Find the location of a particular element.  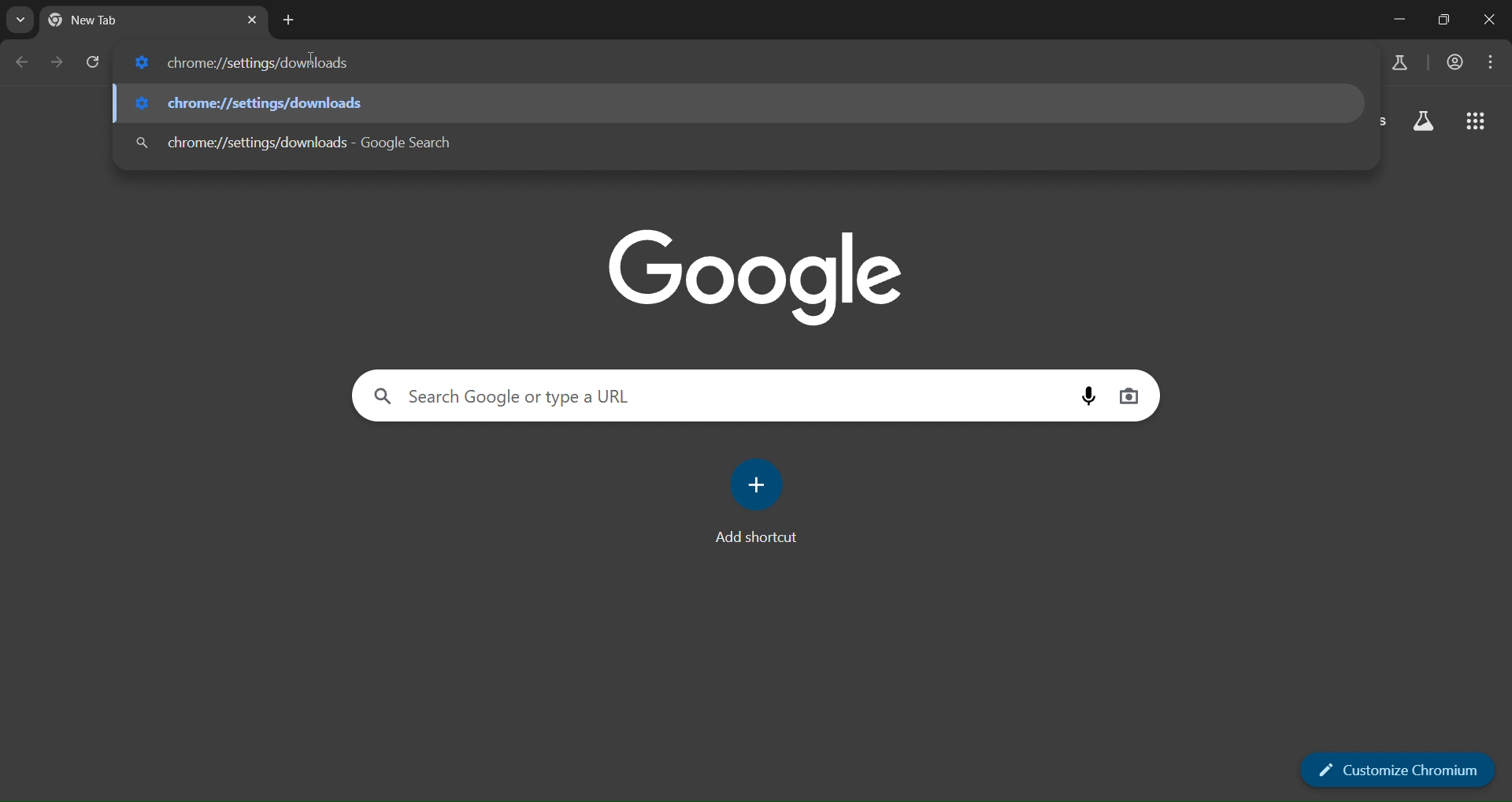

google is located at coordinates (752, 274).